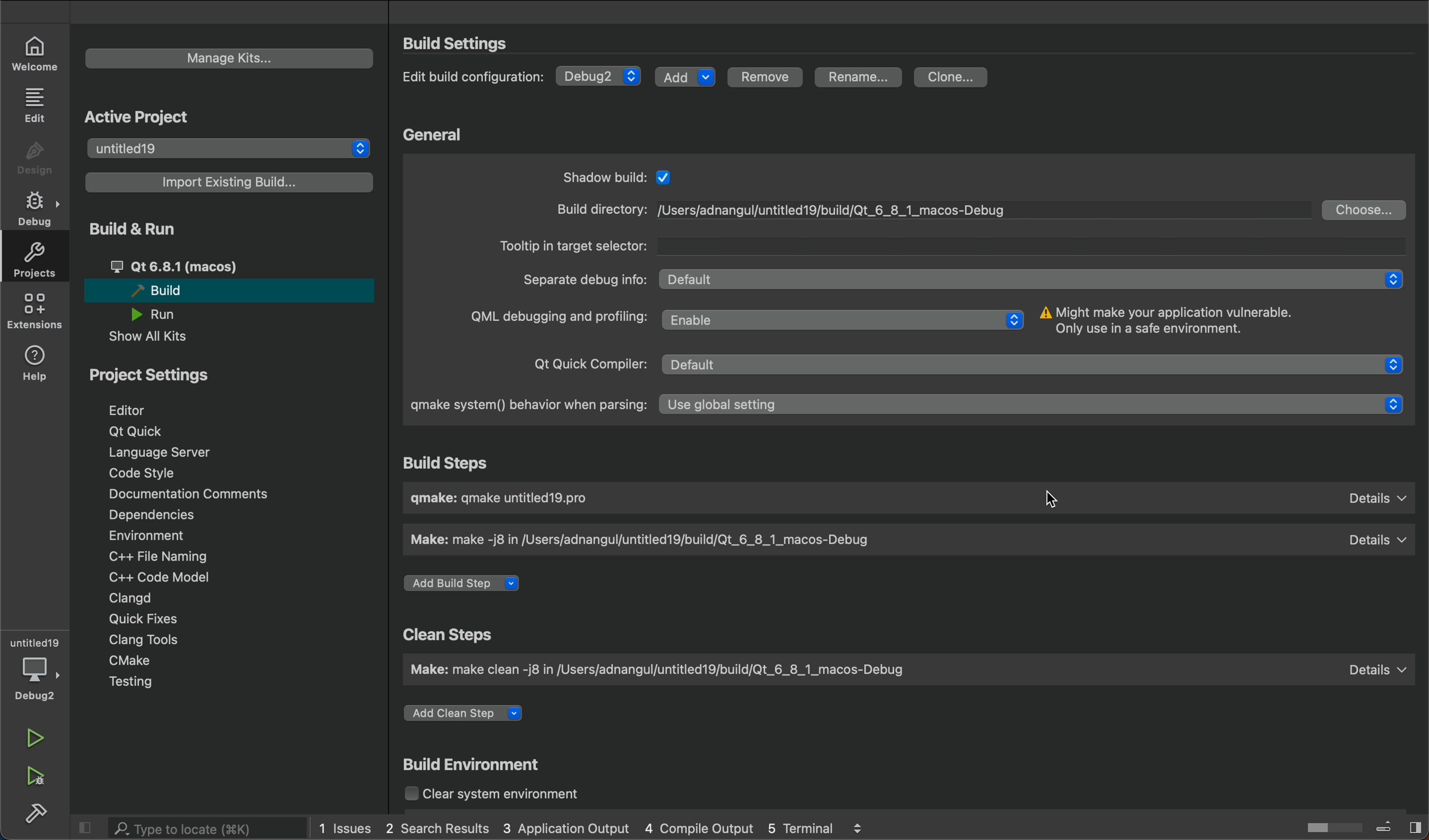  Describe the element at coordinates (1048, 500) in the screenshot. I see `cursor` at that location.